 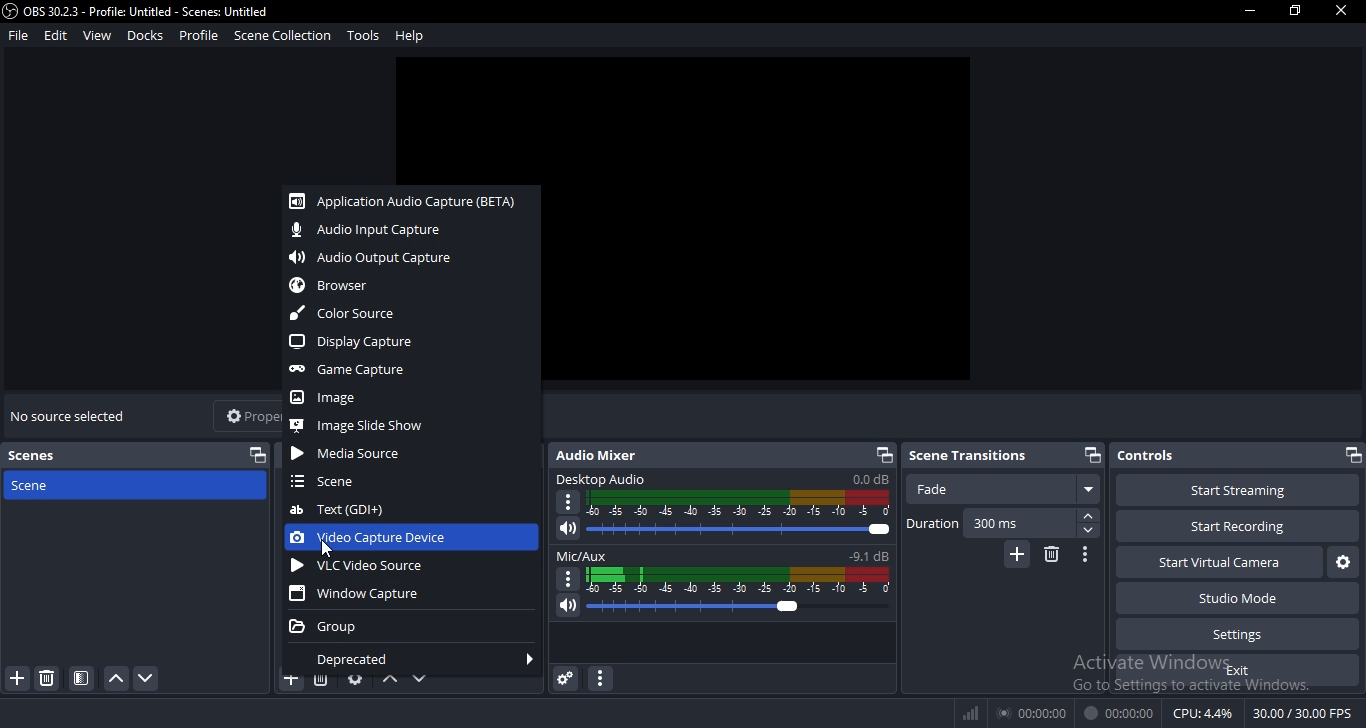 What do you see at coordinates (339, 510) in the screenshot?
I see `text` at bounding box center [339, 510].